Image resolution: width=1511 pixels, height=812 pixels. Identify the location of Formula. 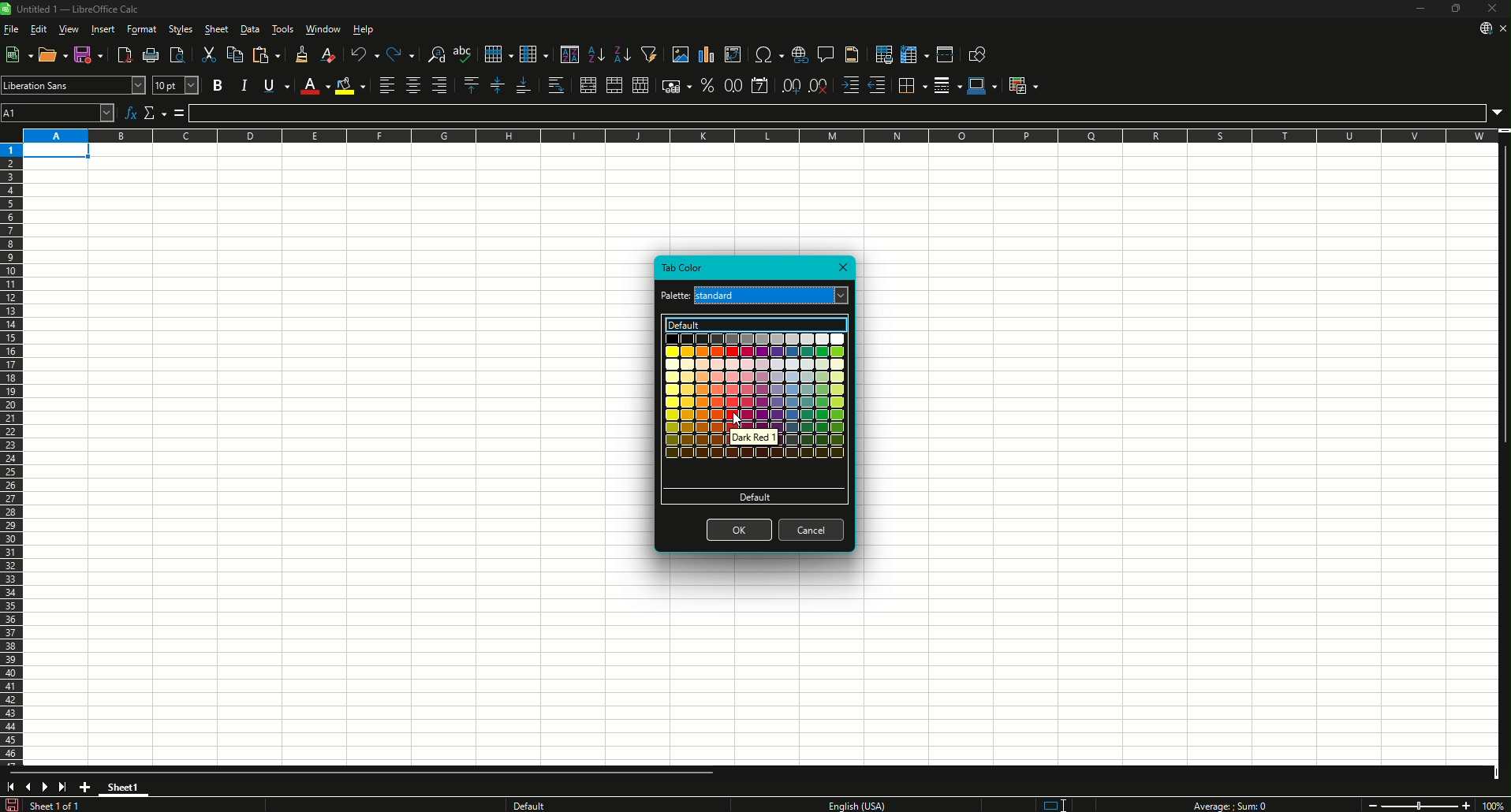
(180, 113).